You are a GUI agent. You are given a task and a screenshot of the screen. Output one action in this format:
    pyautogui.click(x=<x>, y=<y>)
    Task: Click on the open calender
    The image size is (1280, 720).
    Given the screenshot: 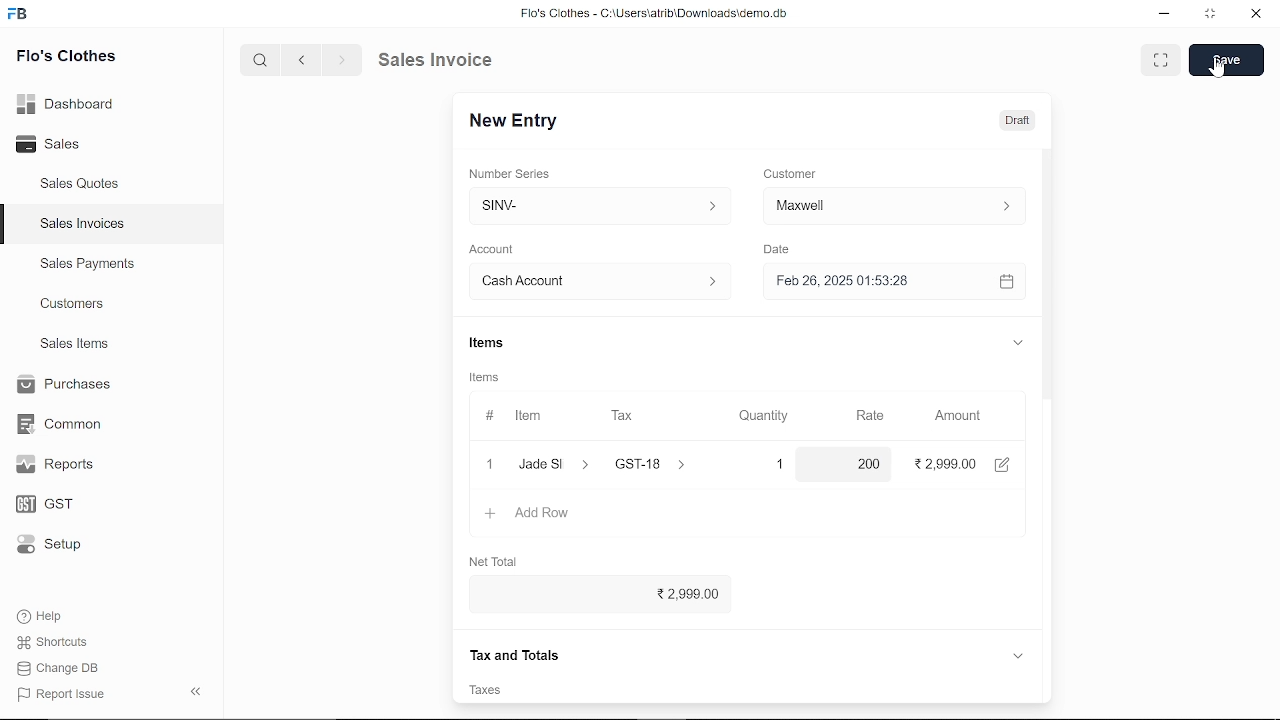 What is the action you would take?
    pyautogui.click(x=1006, y=281)
    